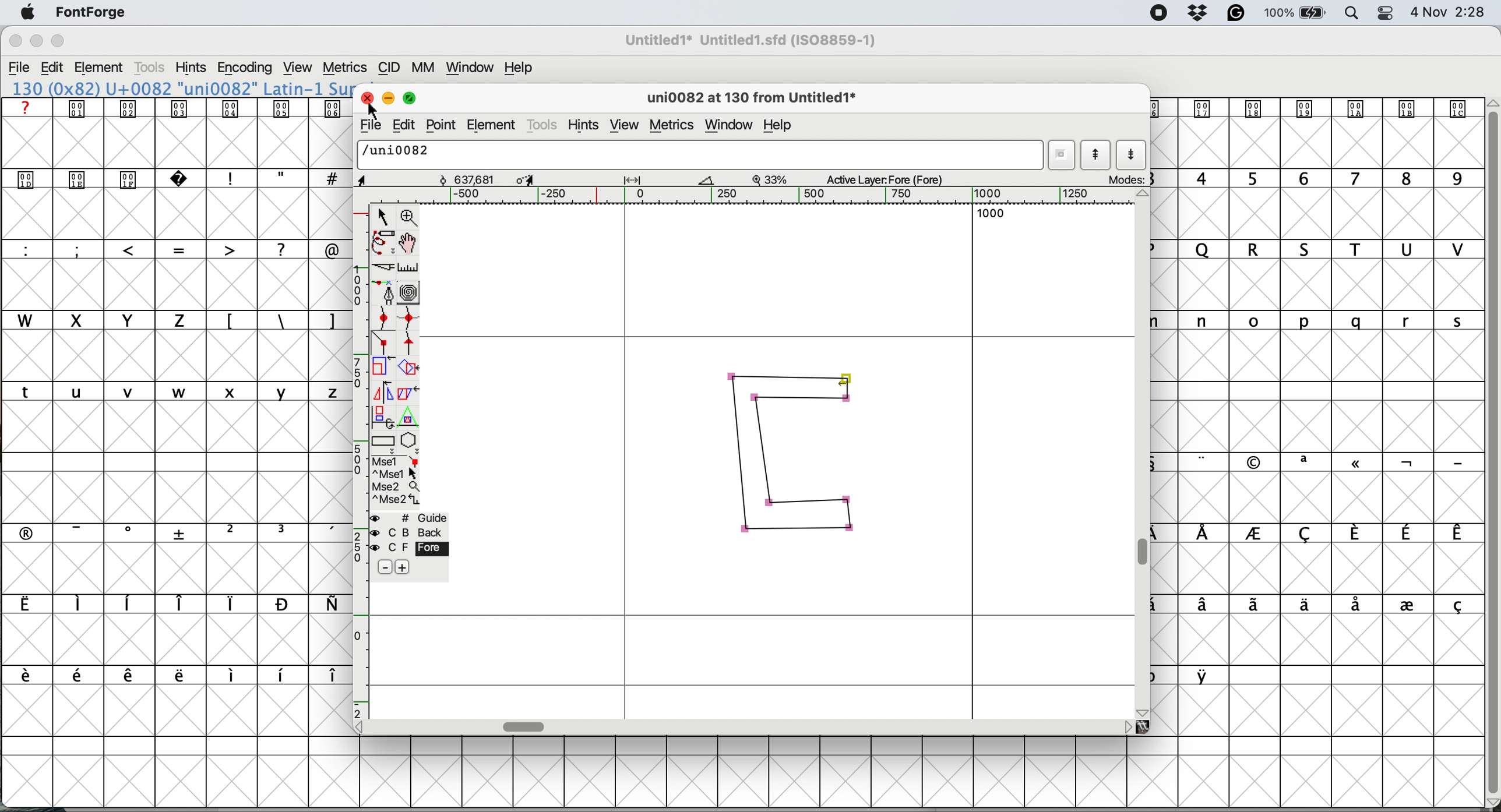 The height and width of the screenshot is (812, 1501). What do you see at coordinates (896, 178) in the screenshot?
I see `active layer` at bounding box center [896, 178].